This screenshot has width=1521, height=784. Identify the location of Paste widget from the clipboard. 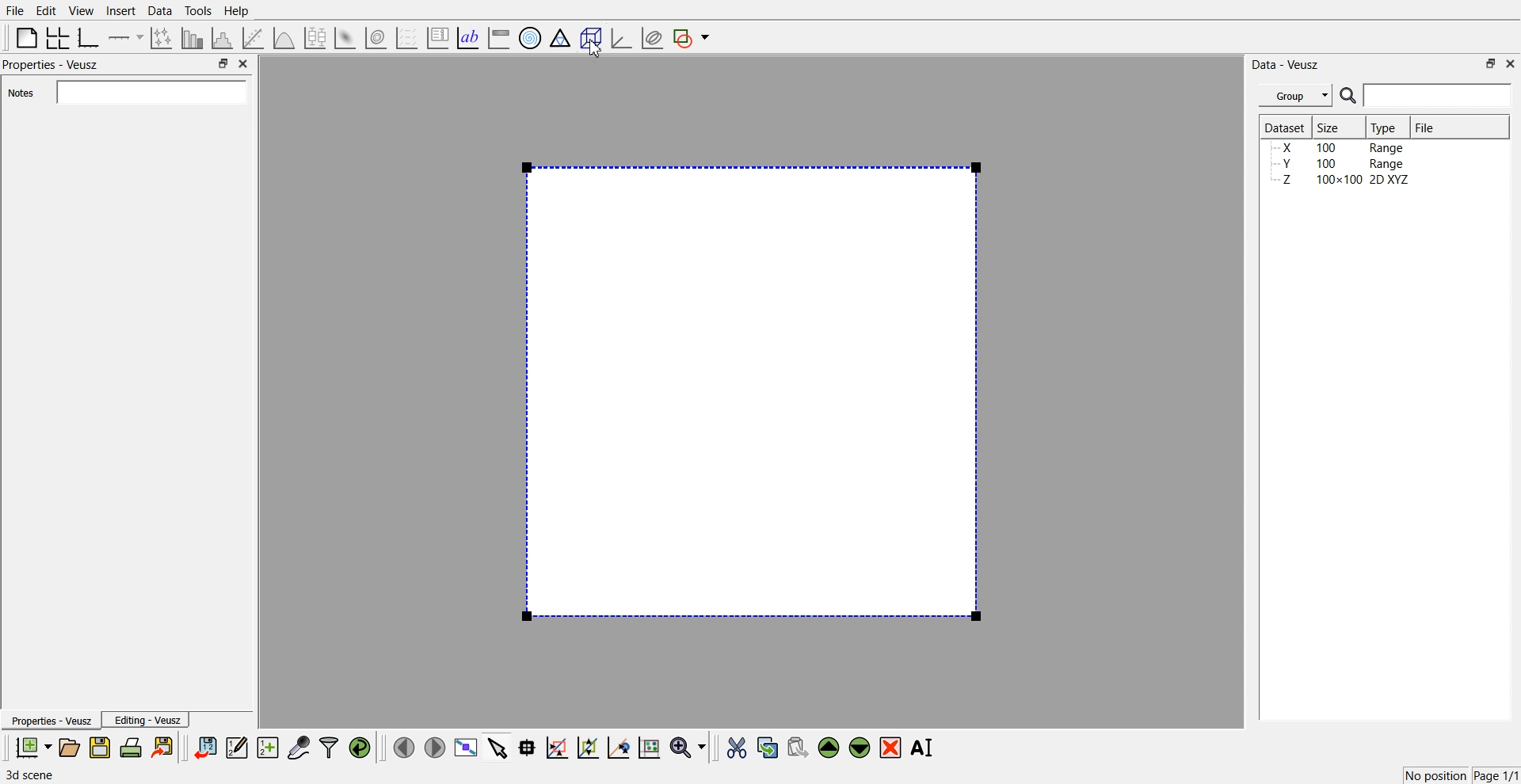
(798, 746).